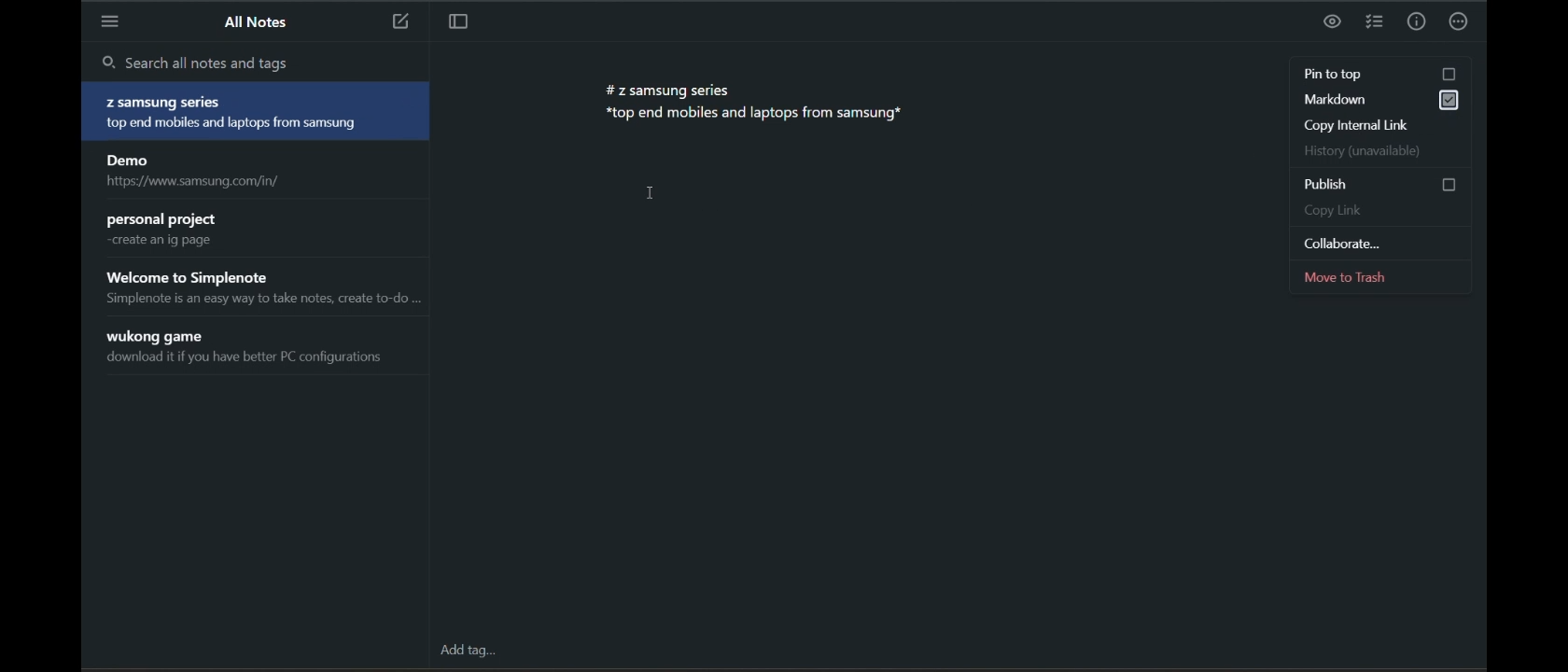 Image resolution: width=1568 pixels, height=672 pixels. What do you see at coordinates (261, 348) in the screenshot?
I see `wukong game
download it if you have better PC configurations` at bounding box center [261, 348].